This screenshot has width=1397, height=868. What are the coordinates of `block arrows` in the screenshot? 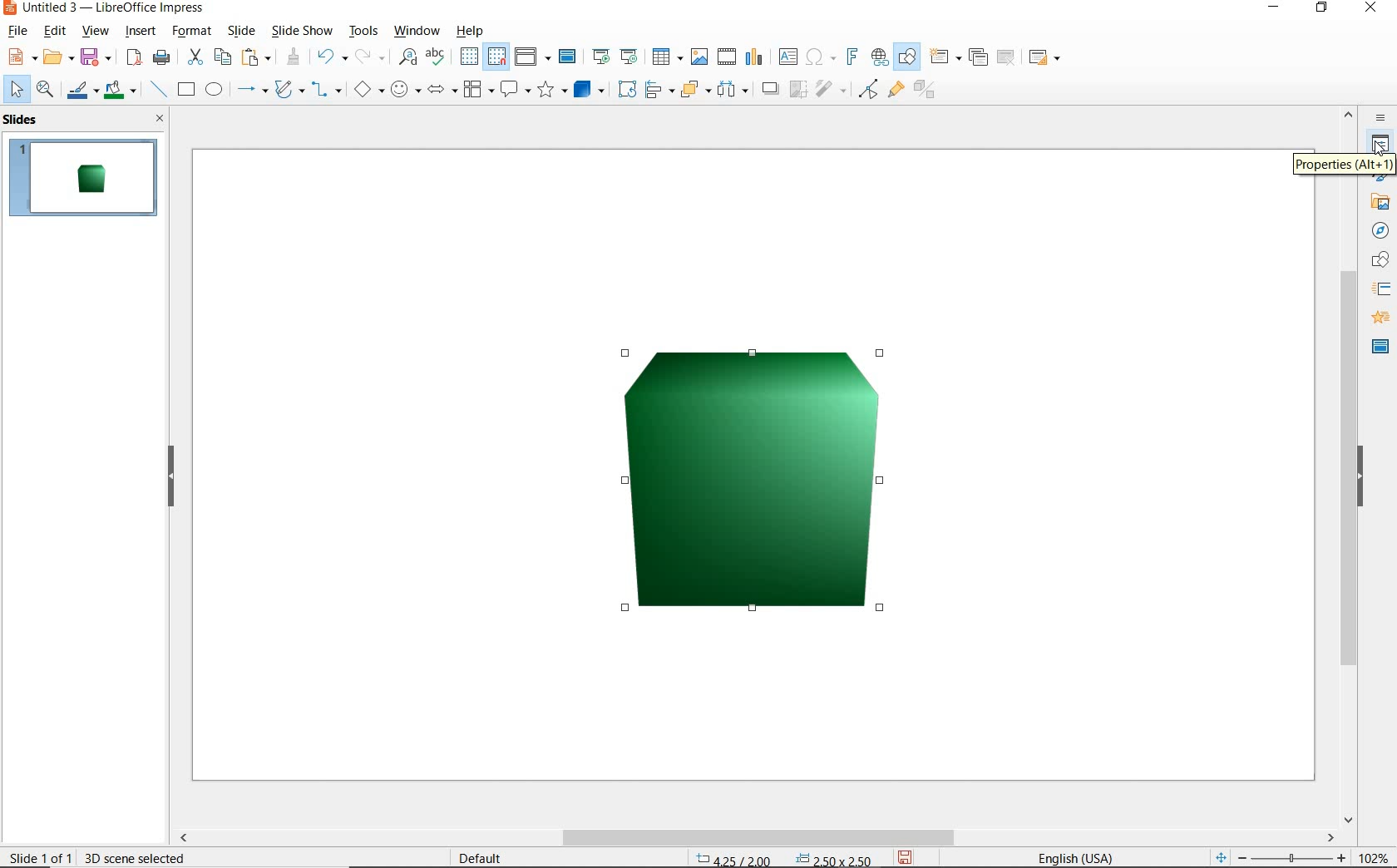 It's located at (442, 89).